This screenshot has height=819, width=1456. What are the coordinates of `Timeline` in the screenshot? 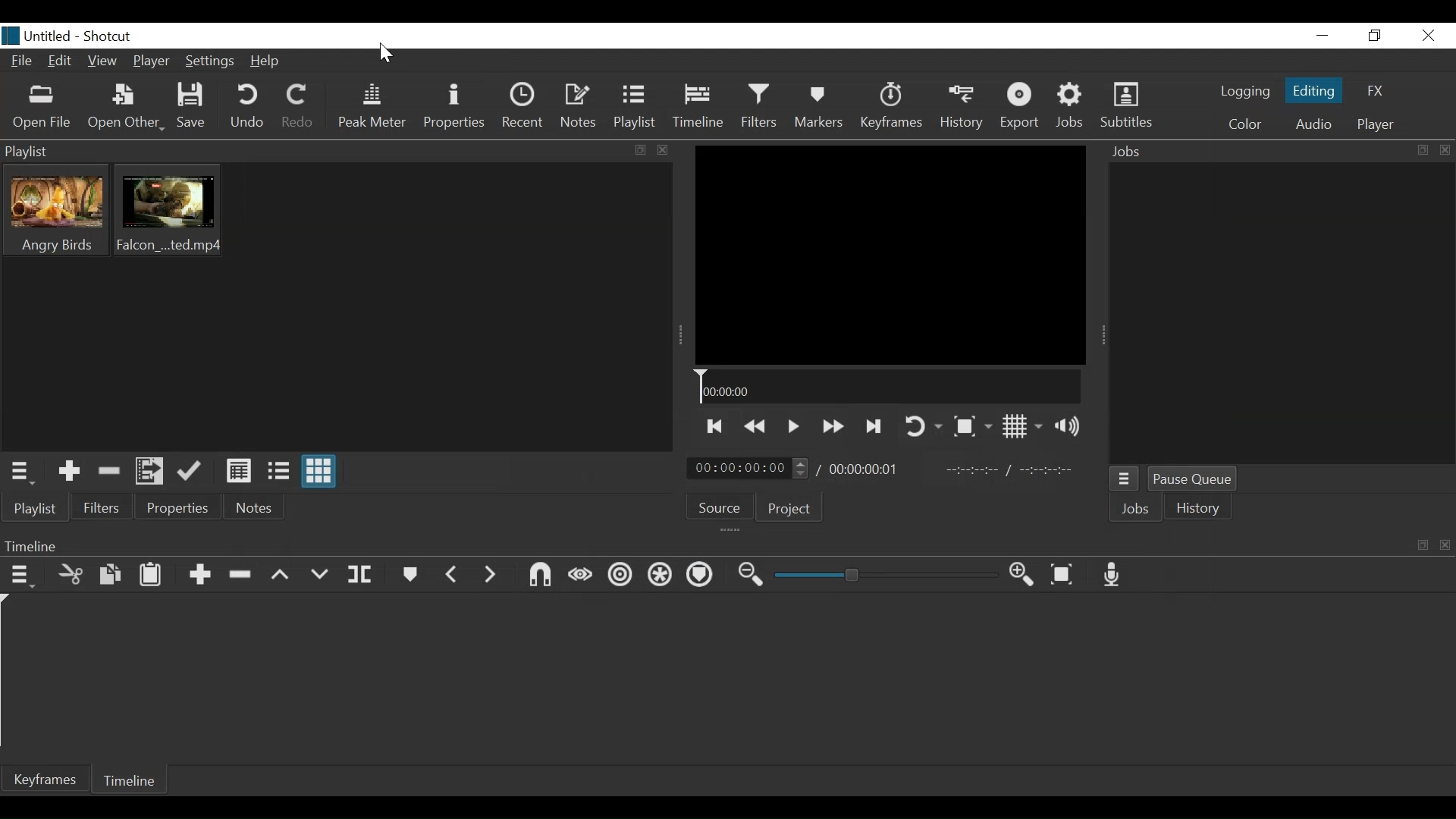 It's located at (133, 779).